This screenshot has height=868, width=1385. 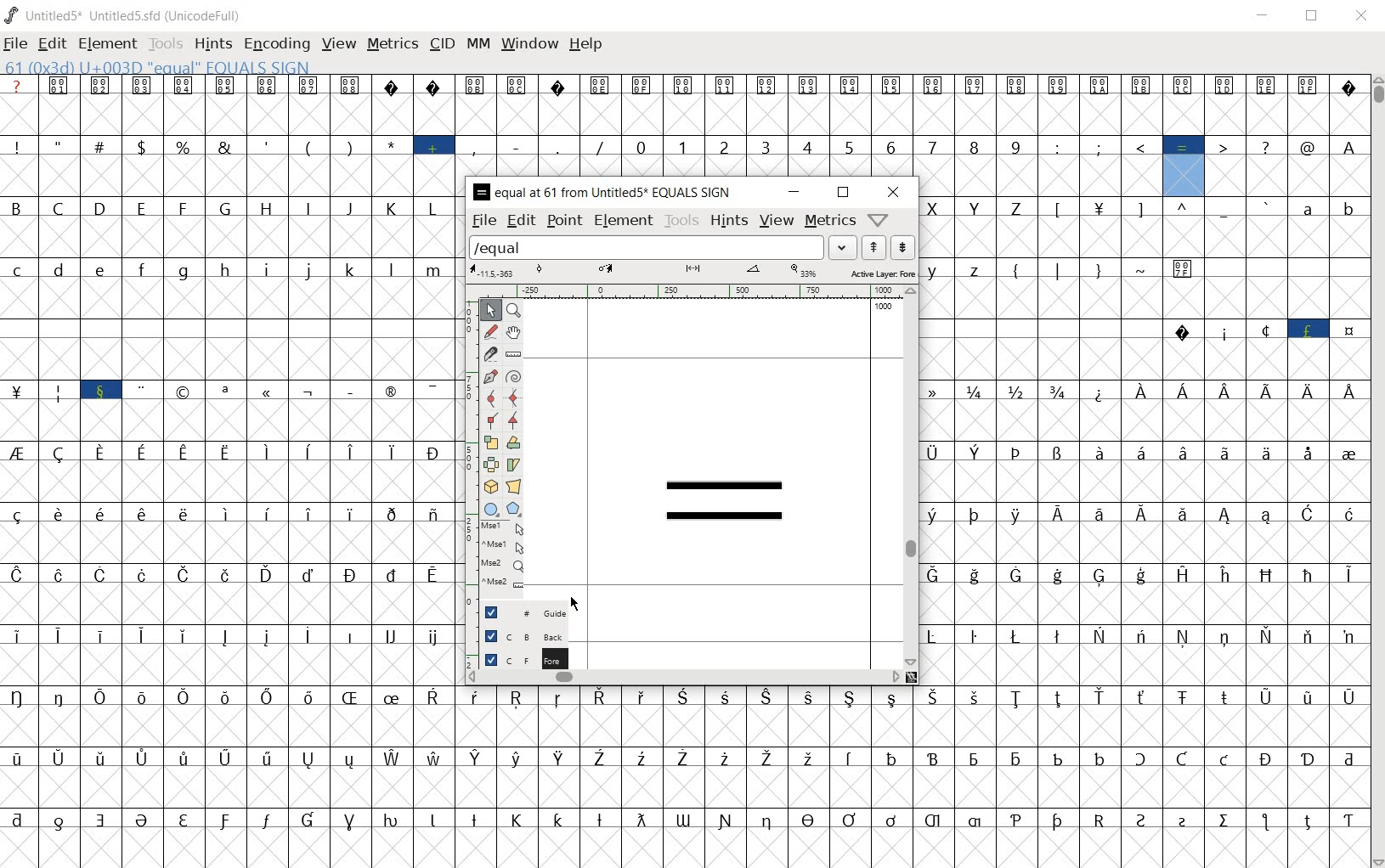 I want to click on 61(0x3d) U+003D "EQUAL" EQUALS SIGN, so click(x=158, y=68).